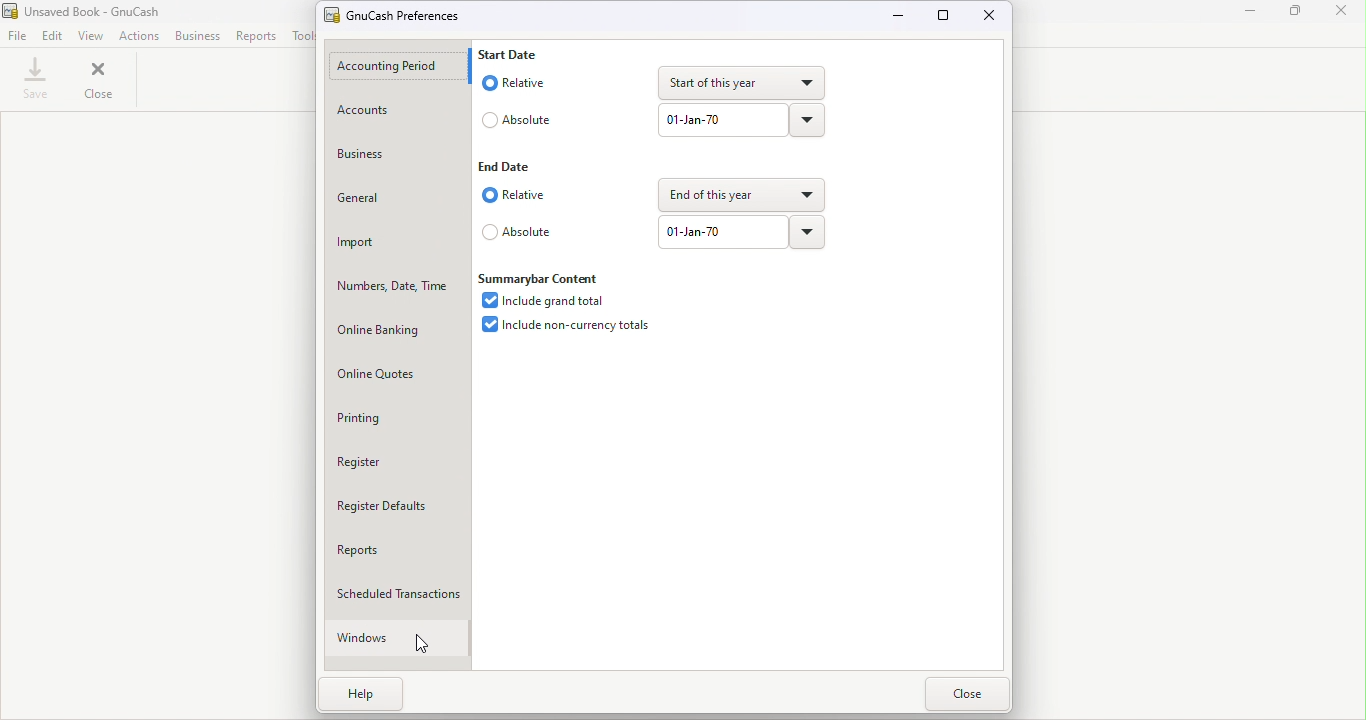  What do you see at coordinates (400, 547) in the screenshot?
I see `Reports` at bounding box center [400, 547].